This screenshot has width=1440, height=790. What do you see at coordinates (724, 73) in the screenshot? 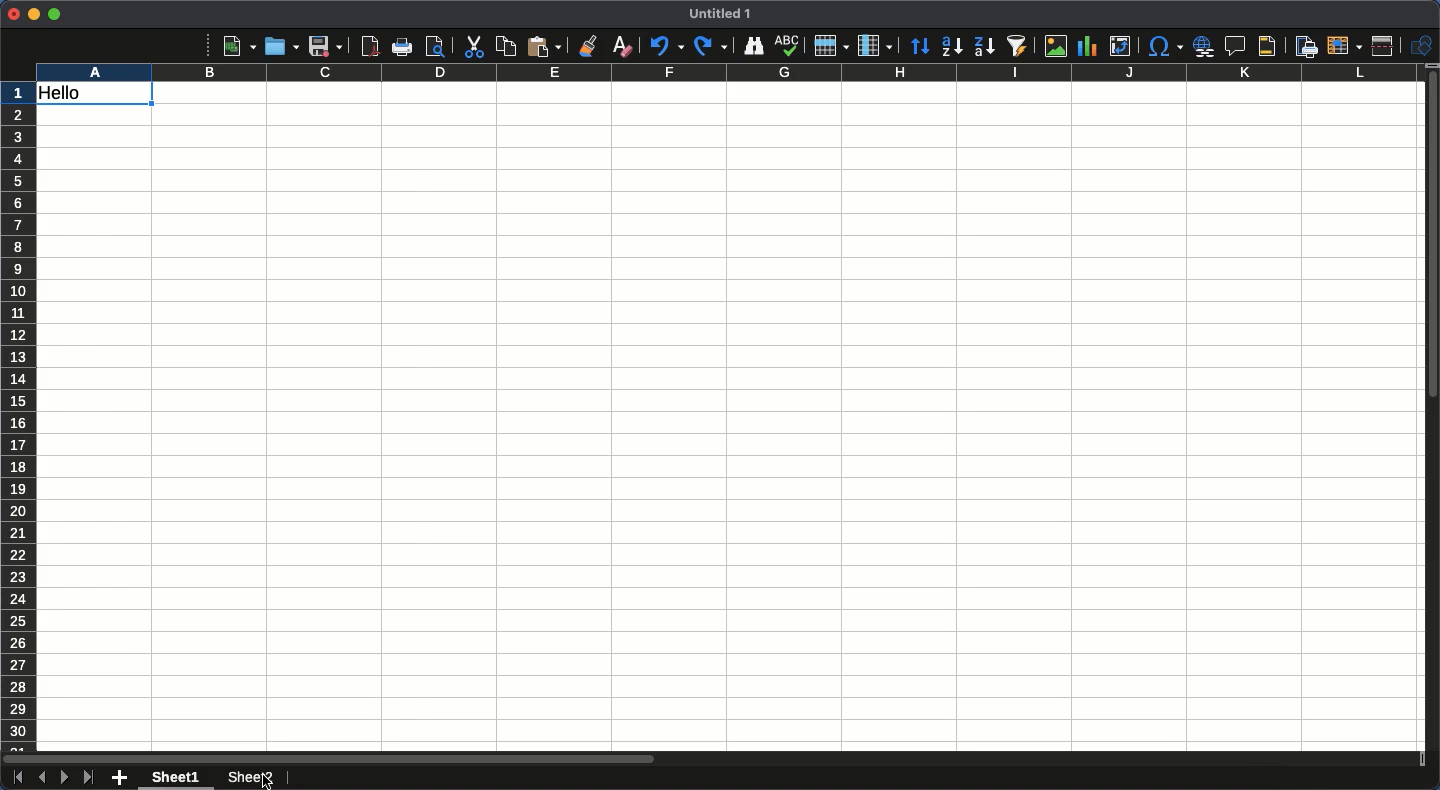
I see `Columns` at bounding box center [724, 73].